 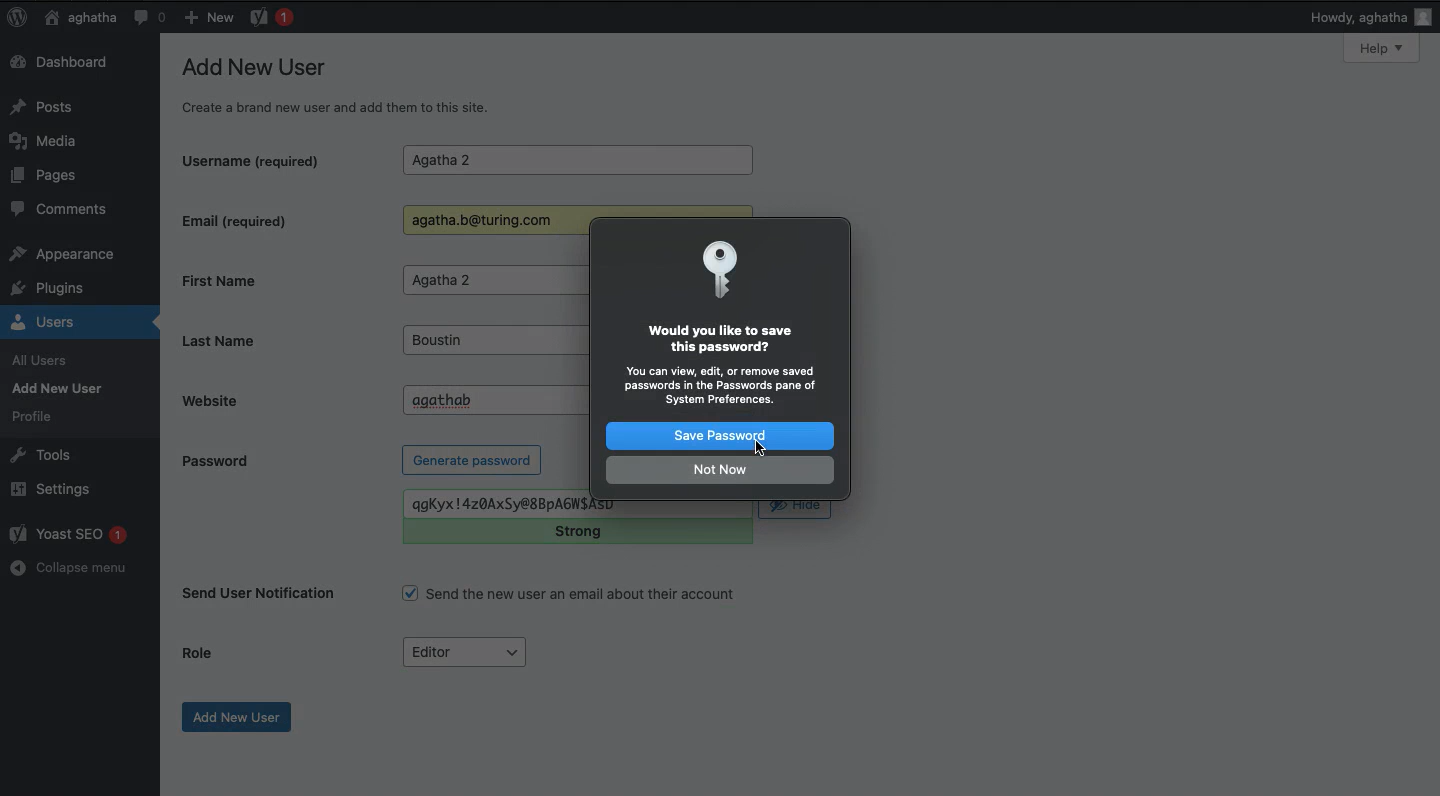 I want to click on Howdy, aghatha, so click(x=1371, y=17).